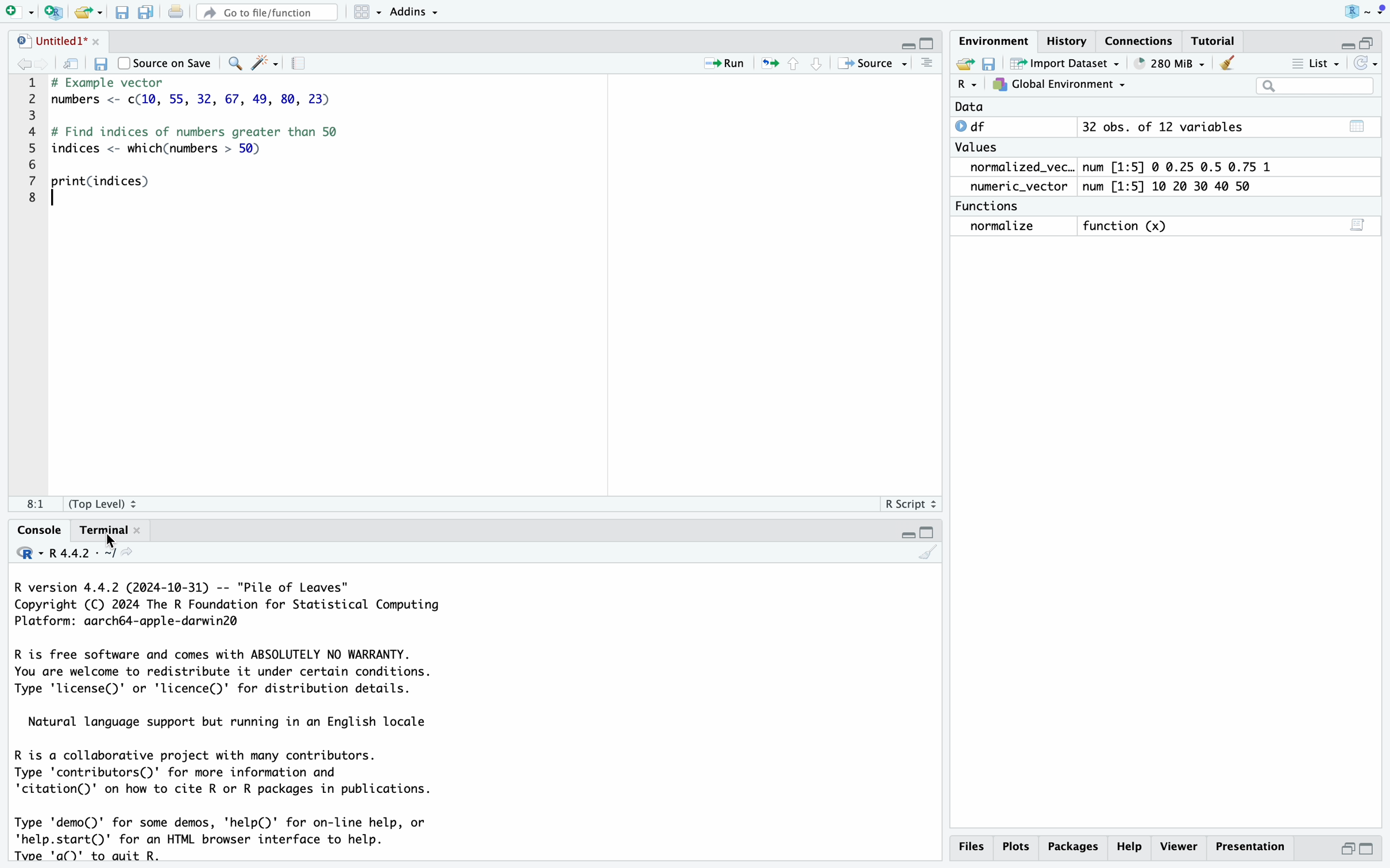  Describe the element at coordinates (966, 86) in the screenshot. I see `R` at that location.